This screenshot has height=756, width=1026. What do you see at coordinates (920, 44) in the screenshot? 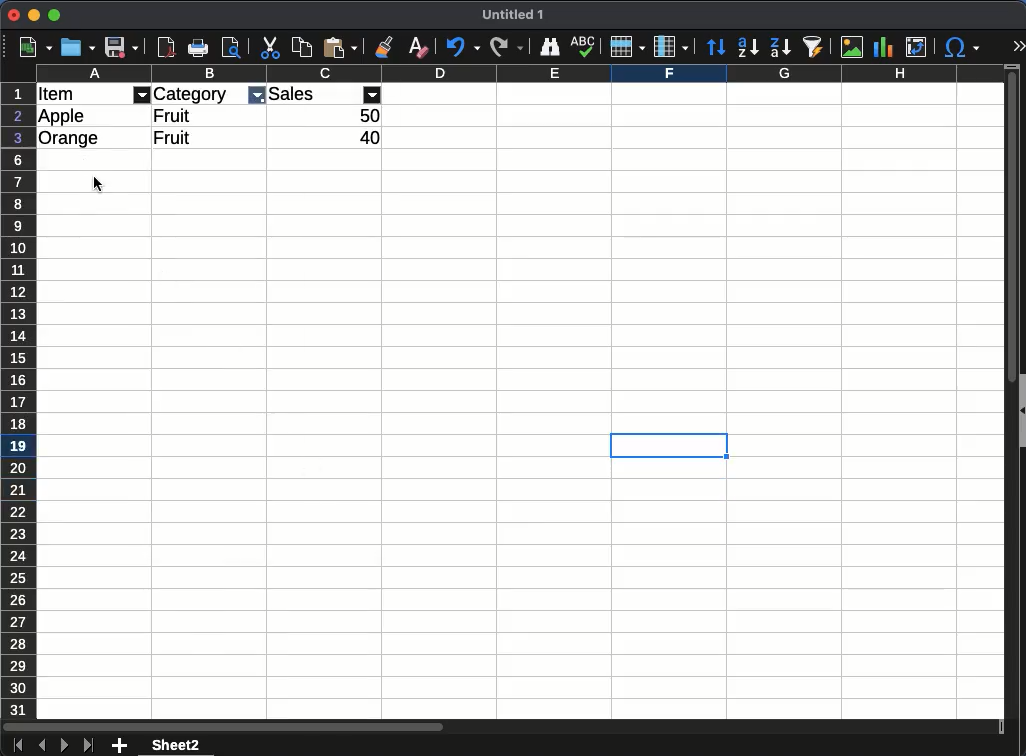
I see `pivot table` at bounding box center [920, 44].